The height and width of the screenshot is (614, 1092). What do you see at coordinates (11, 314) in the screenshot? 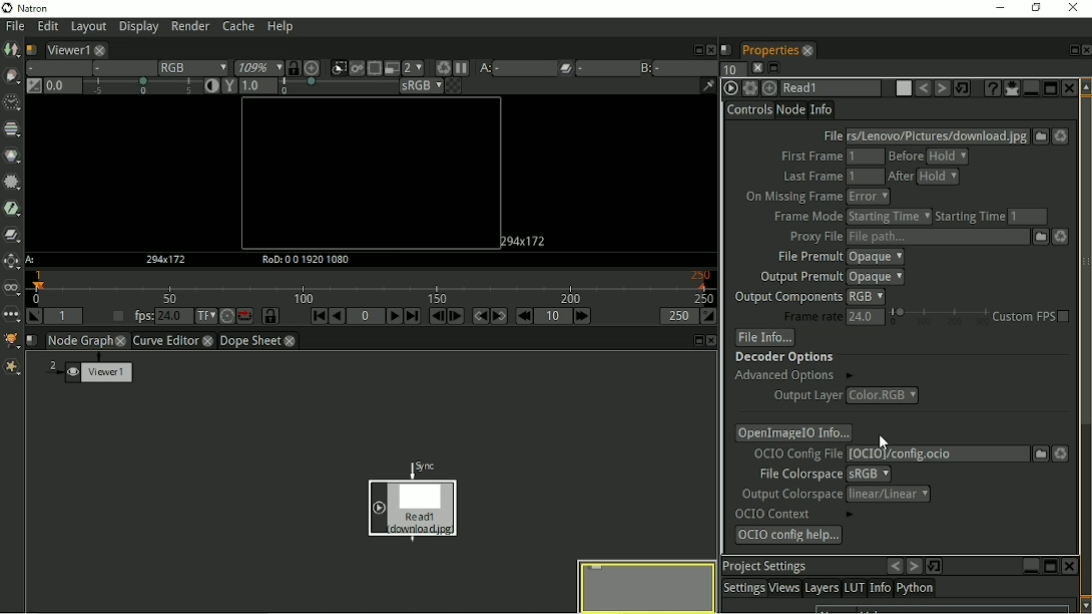
I see `Other` at bounding box center [11, 314].